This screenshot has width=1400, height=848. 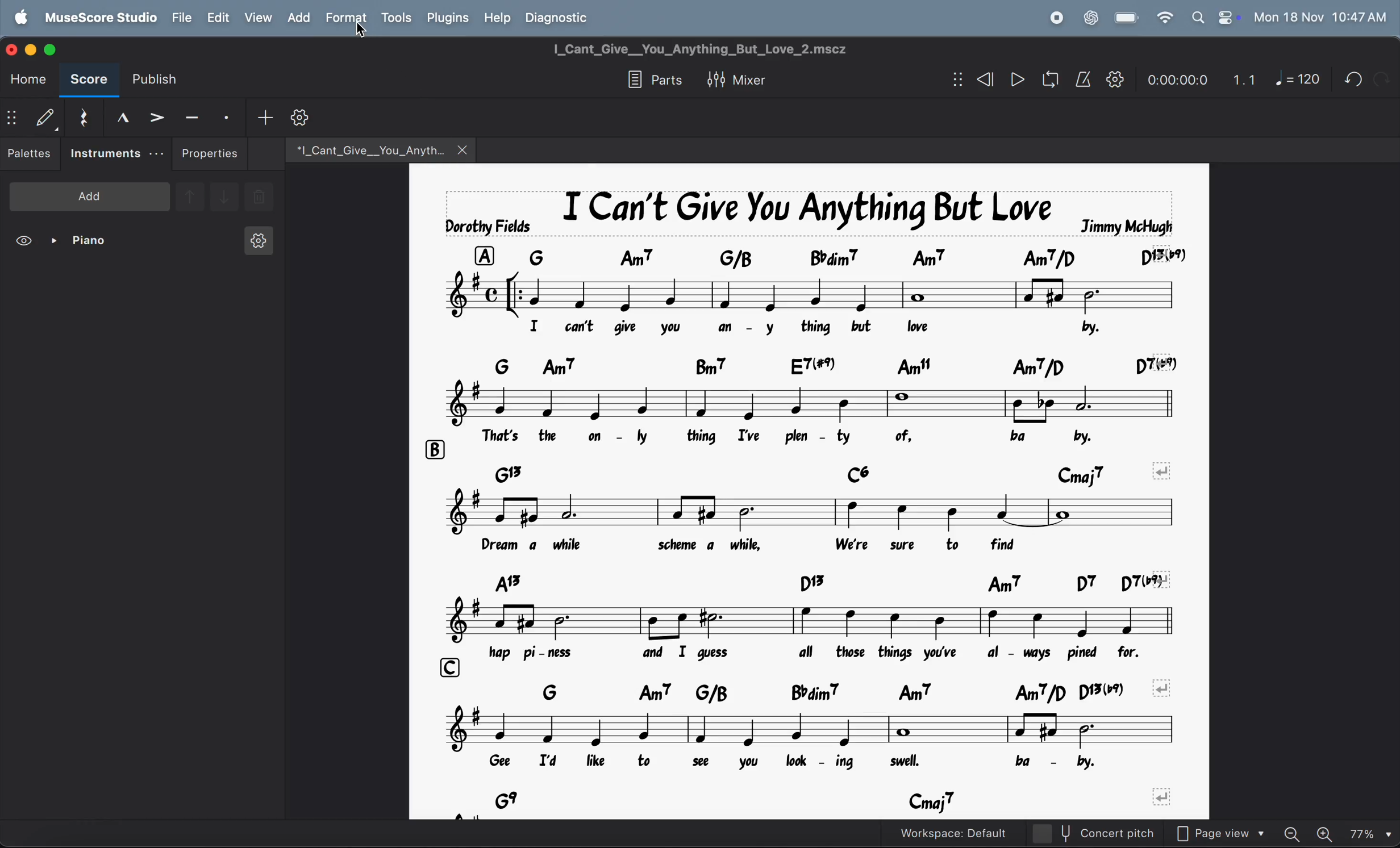 I want to click on show/hide, so click(x=12, y=119).